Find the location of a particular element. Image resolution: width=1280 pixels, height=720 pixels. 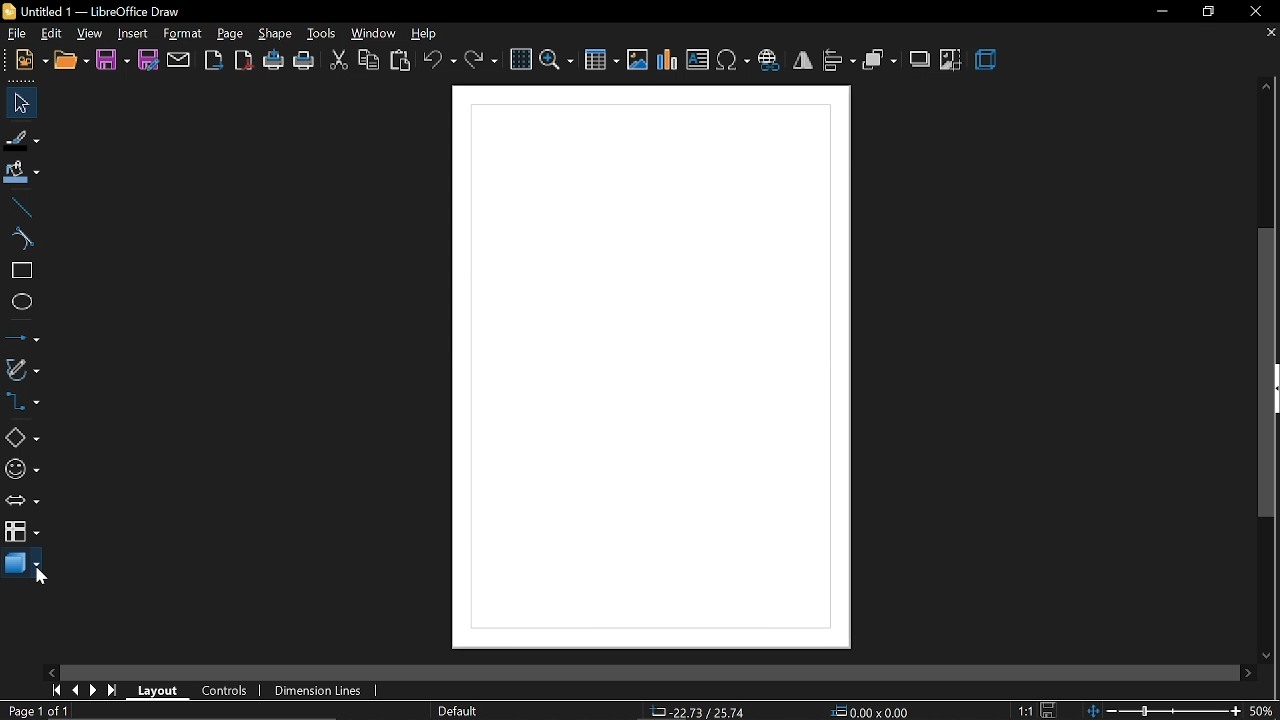

layout is located at coordinates (159, 690).